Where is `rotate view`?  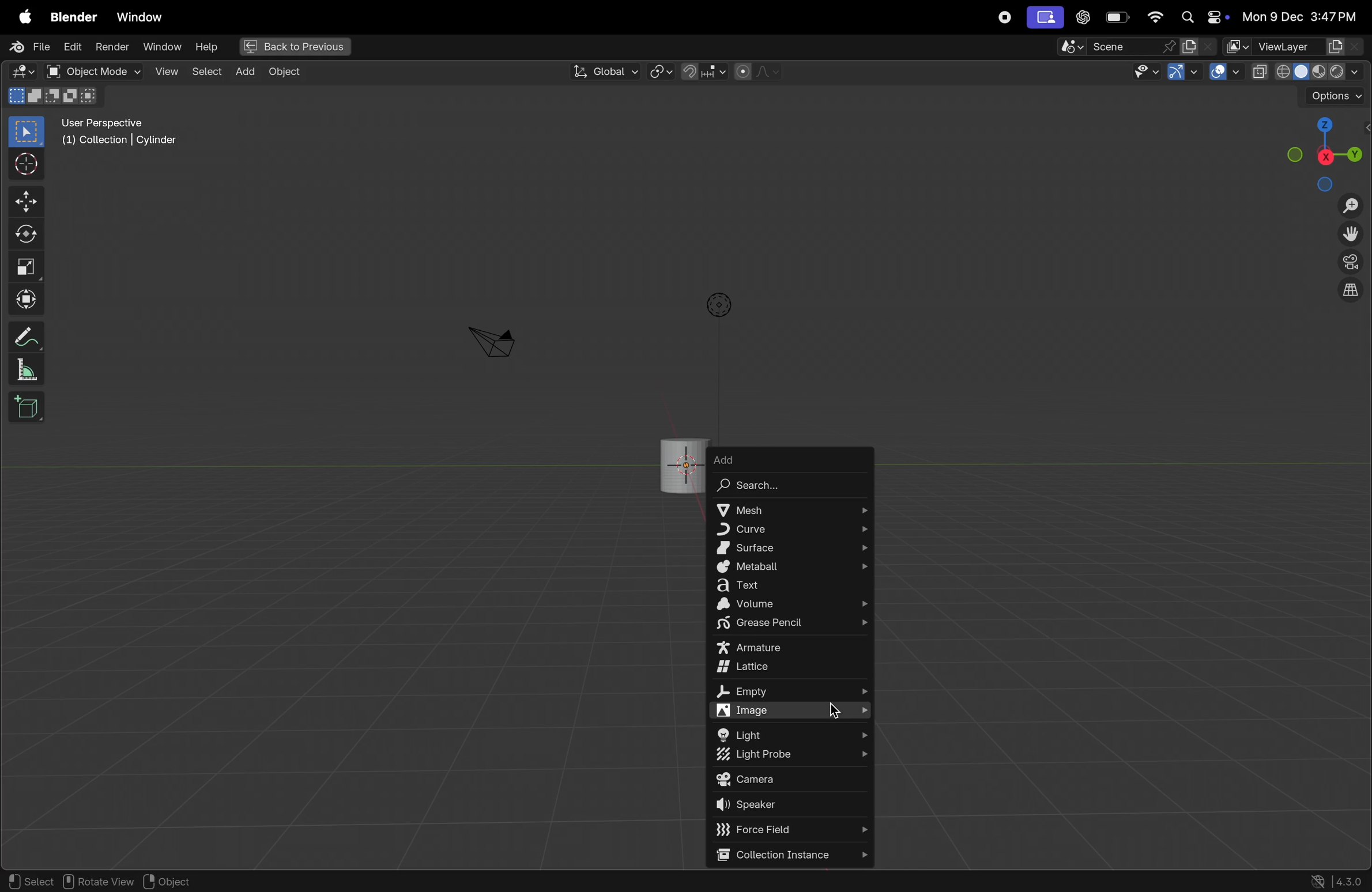
rotate view is located at coordinates (101, 882).